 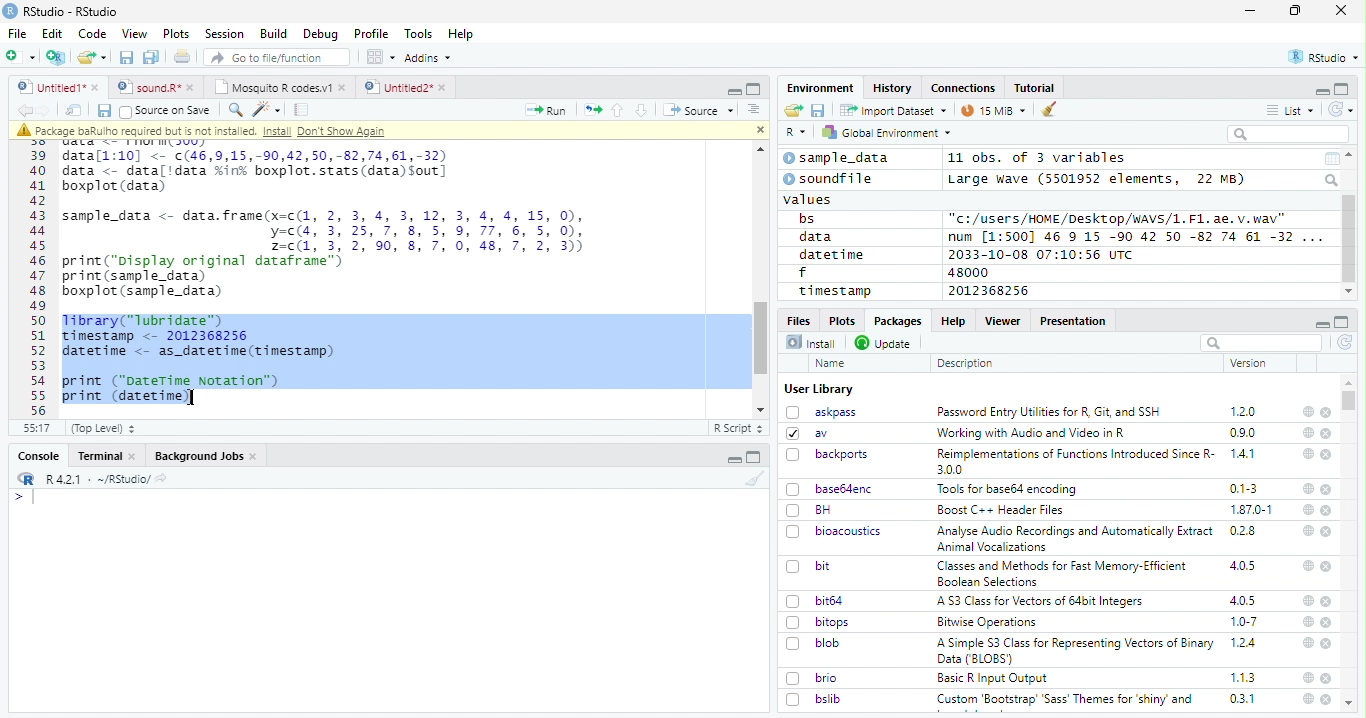 I want to click on Untitled2*, so click(x=409, y=88).